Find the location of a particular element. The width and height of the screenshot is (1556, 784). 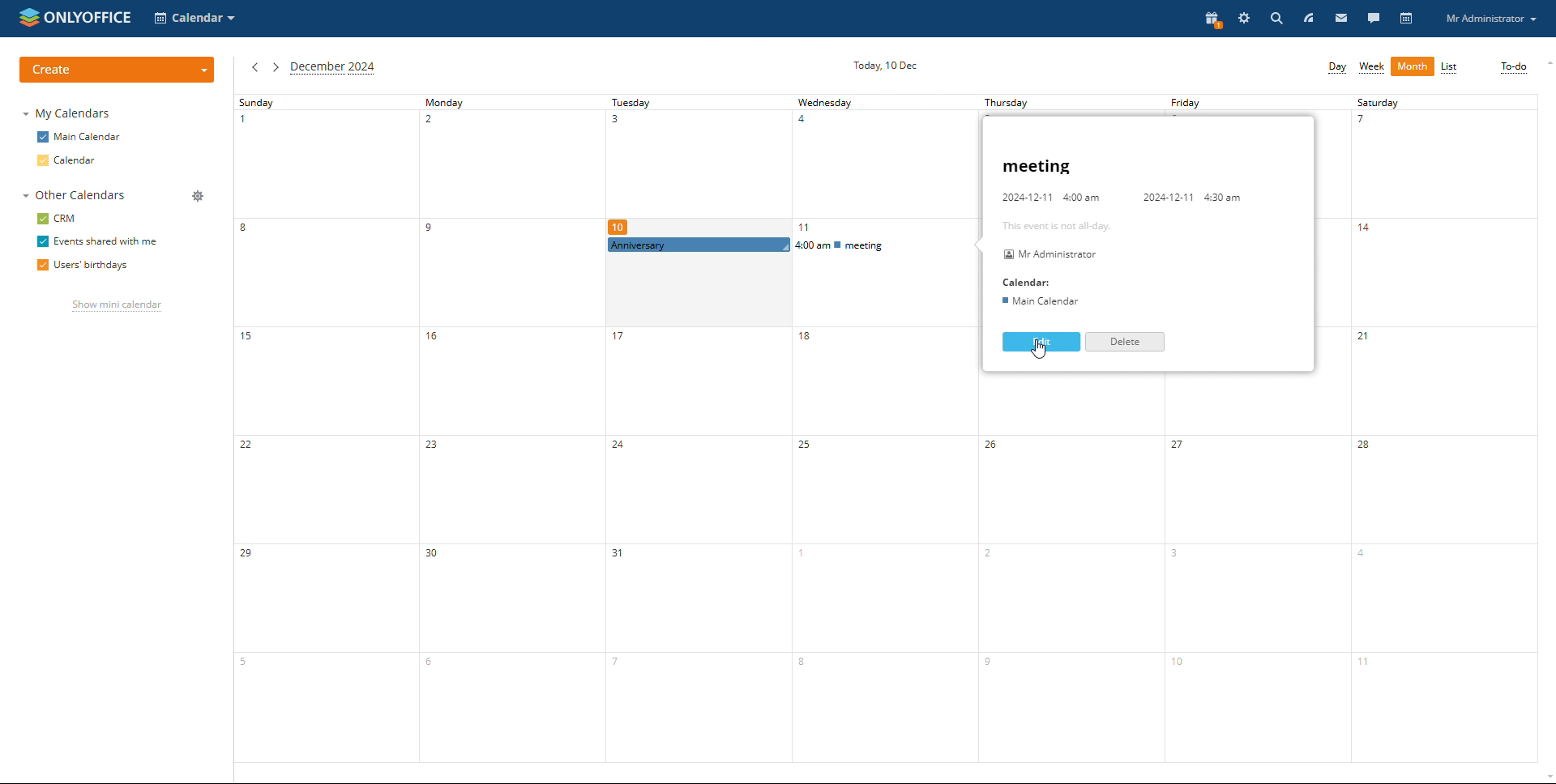

profile is located at coordinates (1494, 19).